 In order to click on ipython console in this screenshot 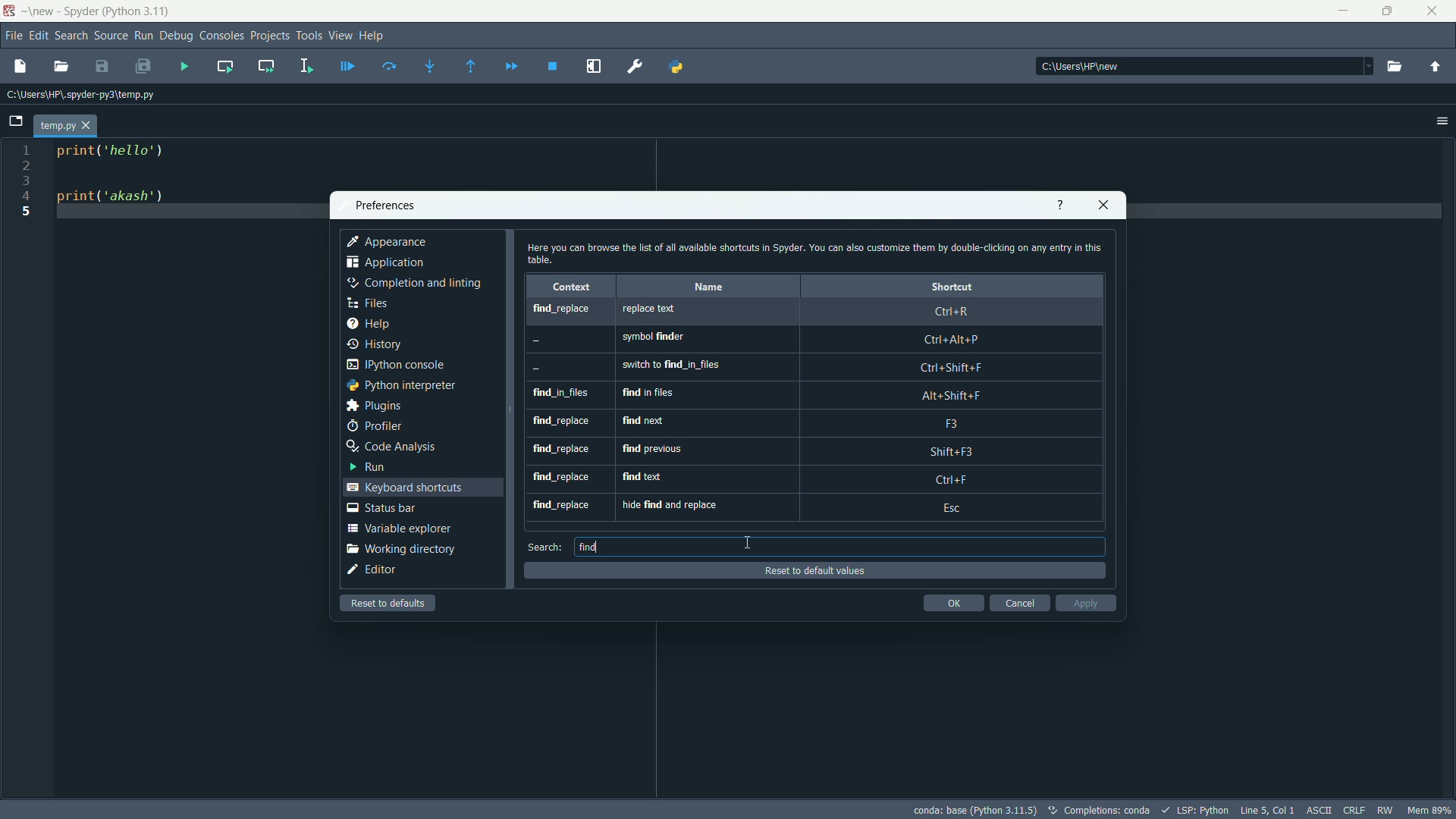, I will do `click(402, 364)`.